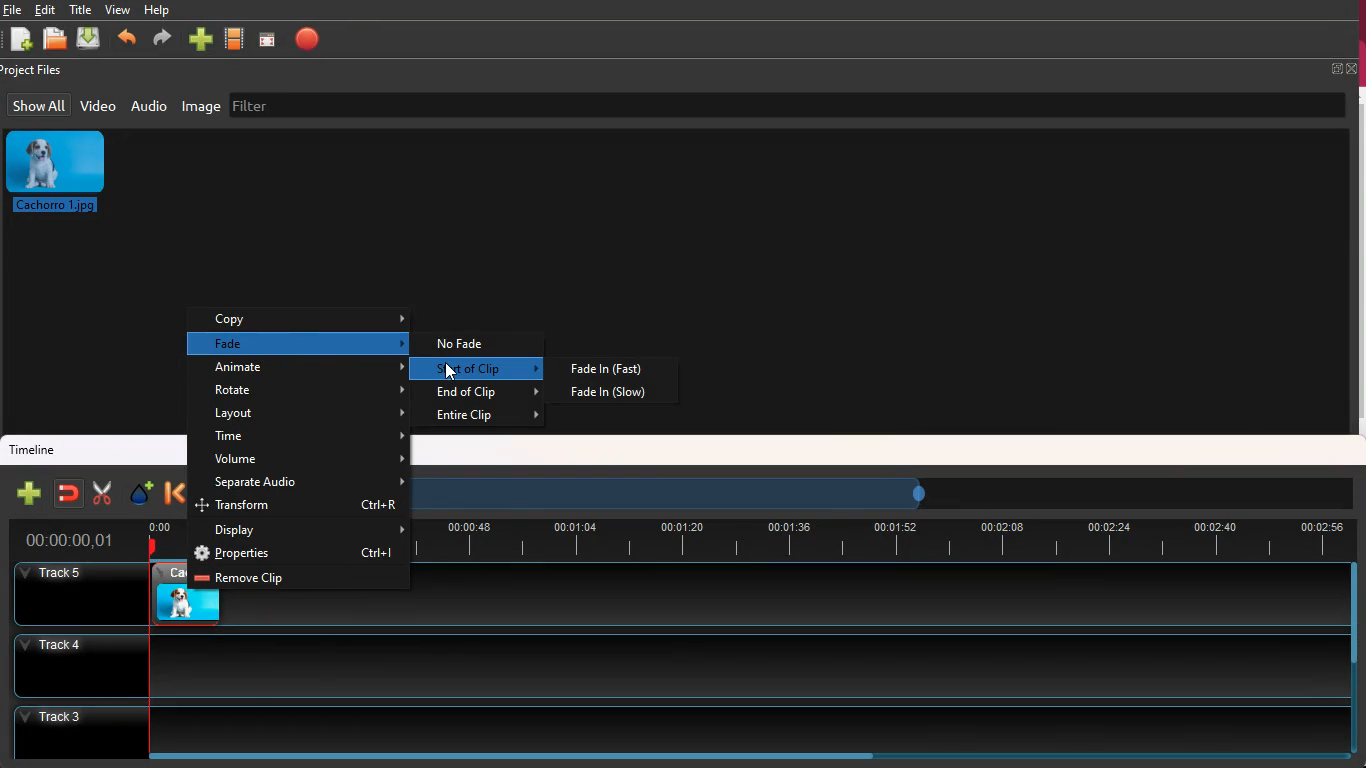 This screenshot has width=1366, height=768. I want to click on video, so click(99, 105).